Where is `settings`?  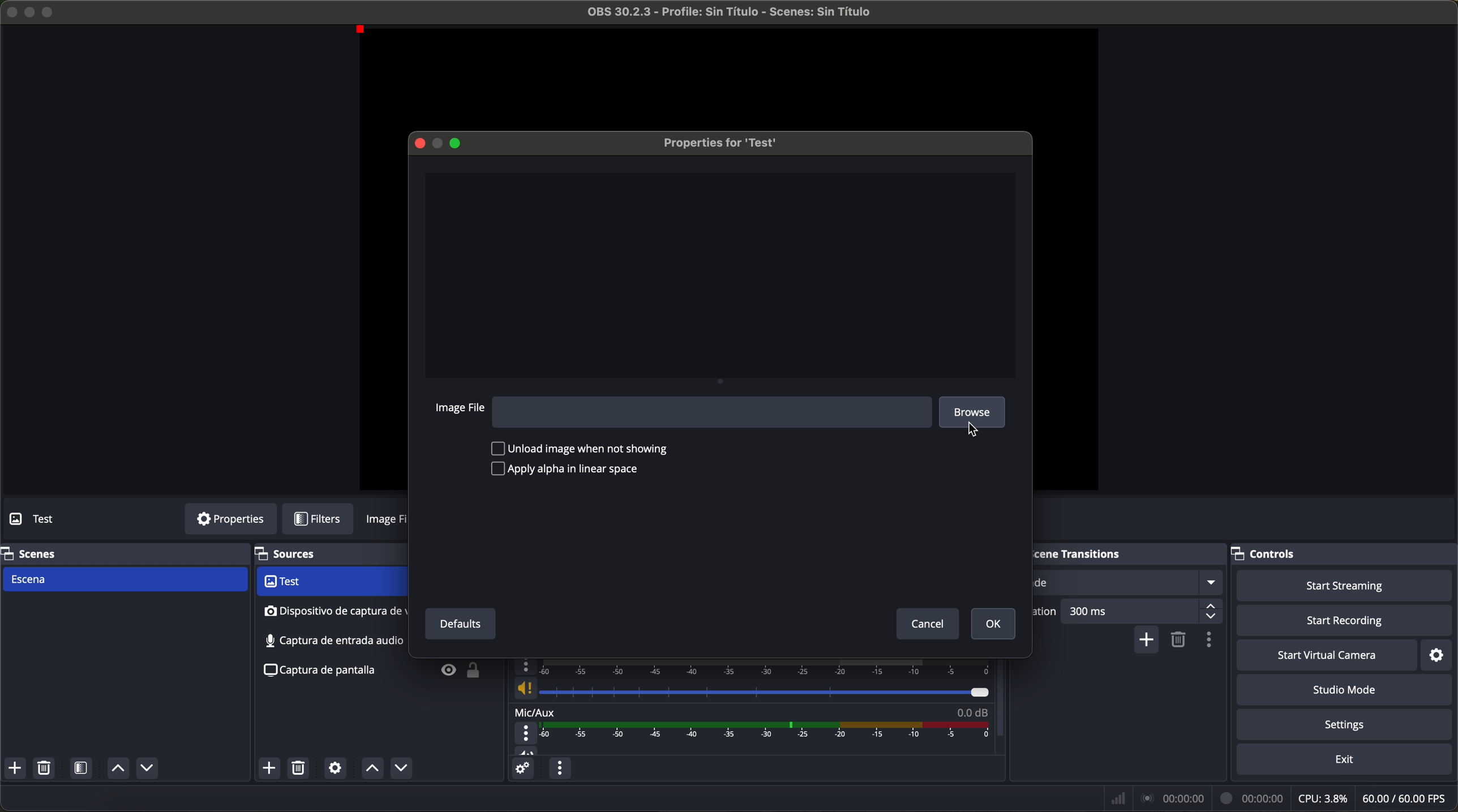
settings is located at coordinates (1348, 725).